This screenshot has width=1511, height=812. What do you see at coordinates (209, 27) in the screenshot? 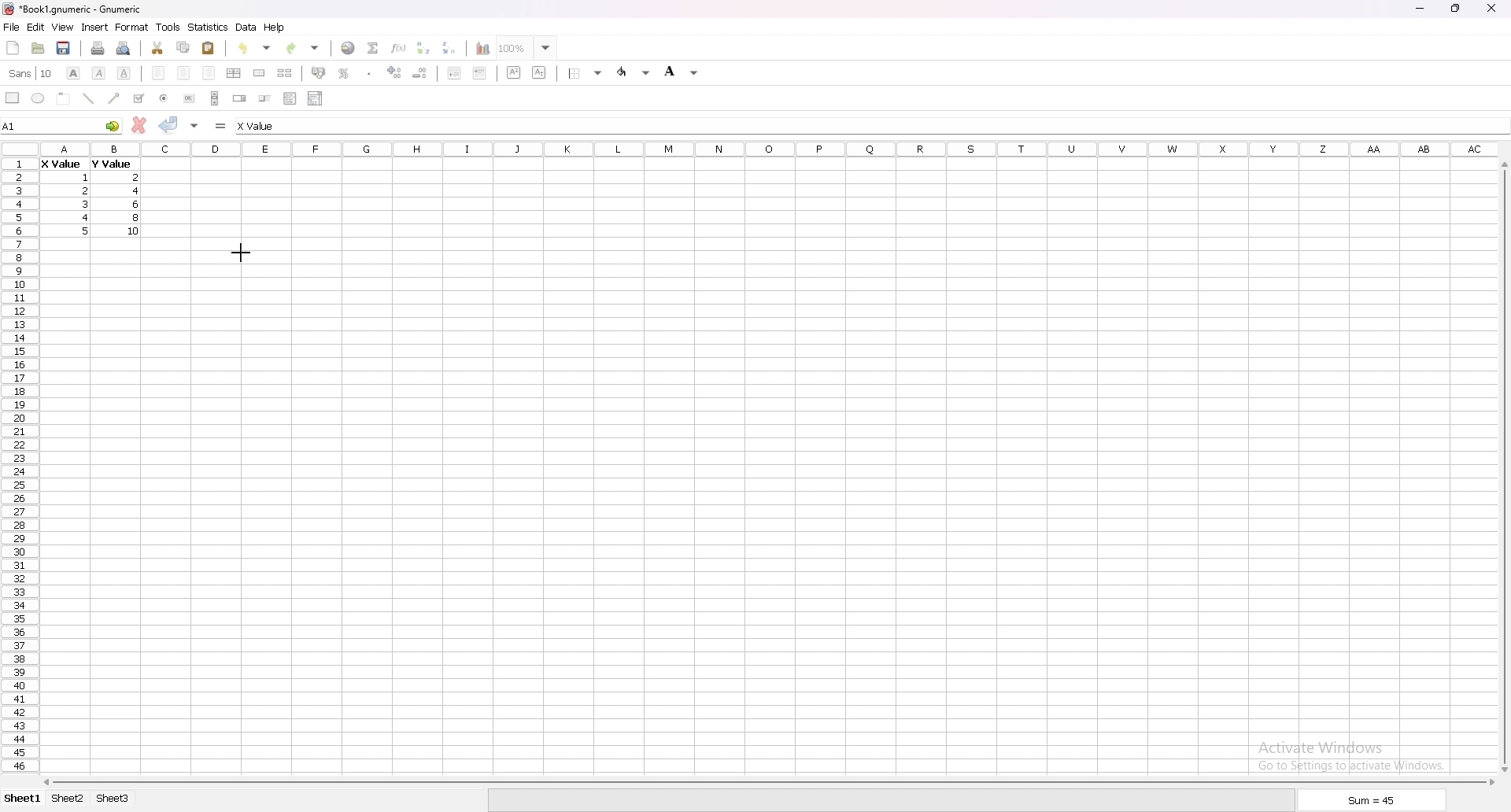
I see `statistics` at bounding box center [209, 27].